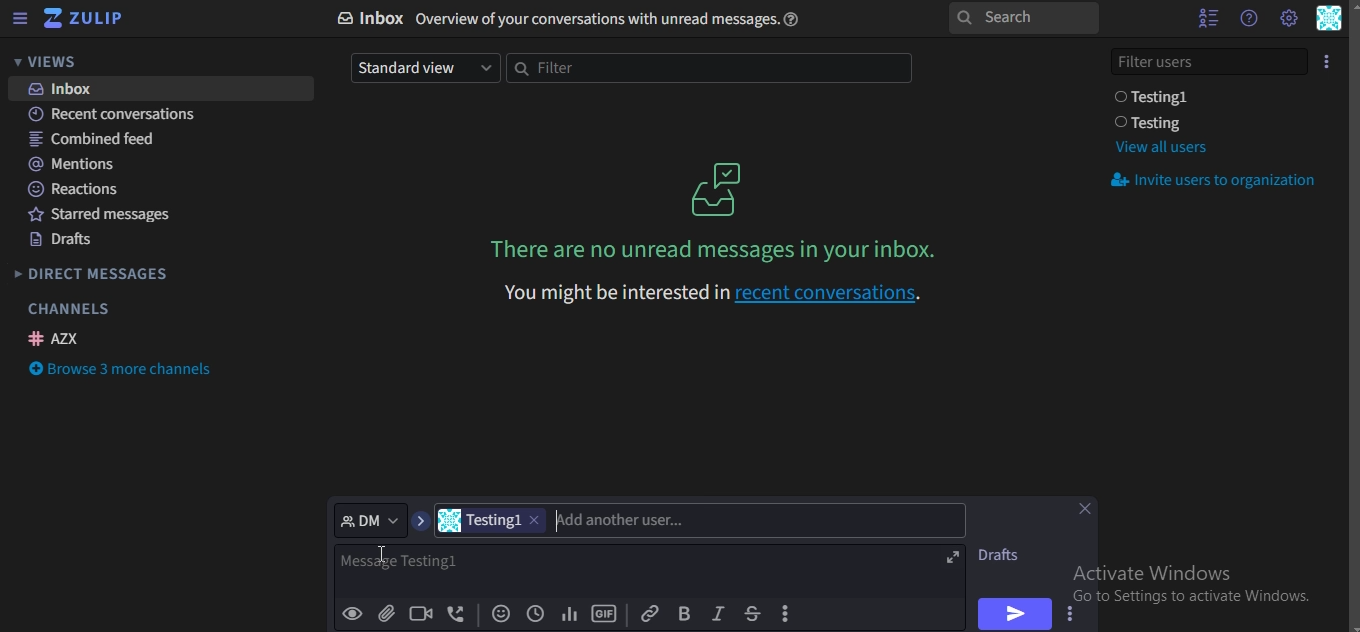 Image resolution: width=1360 pixels, height=632 pixels. Describe the element at coordinates (1328, 60) in the screenshot. I see `icon` at that location.